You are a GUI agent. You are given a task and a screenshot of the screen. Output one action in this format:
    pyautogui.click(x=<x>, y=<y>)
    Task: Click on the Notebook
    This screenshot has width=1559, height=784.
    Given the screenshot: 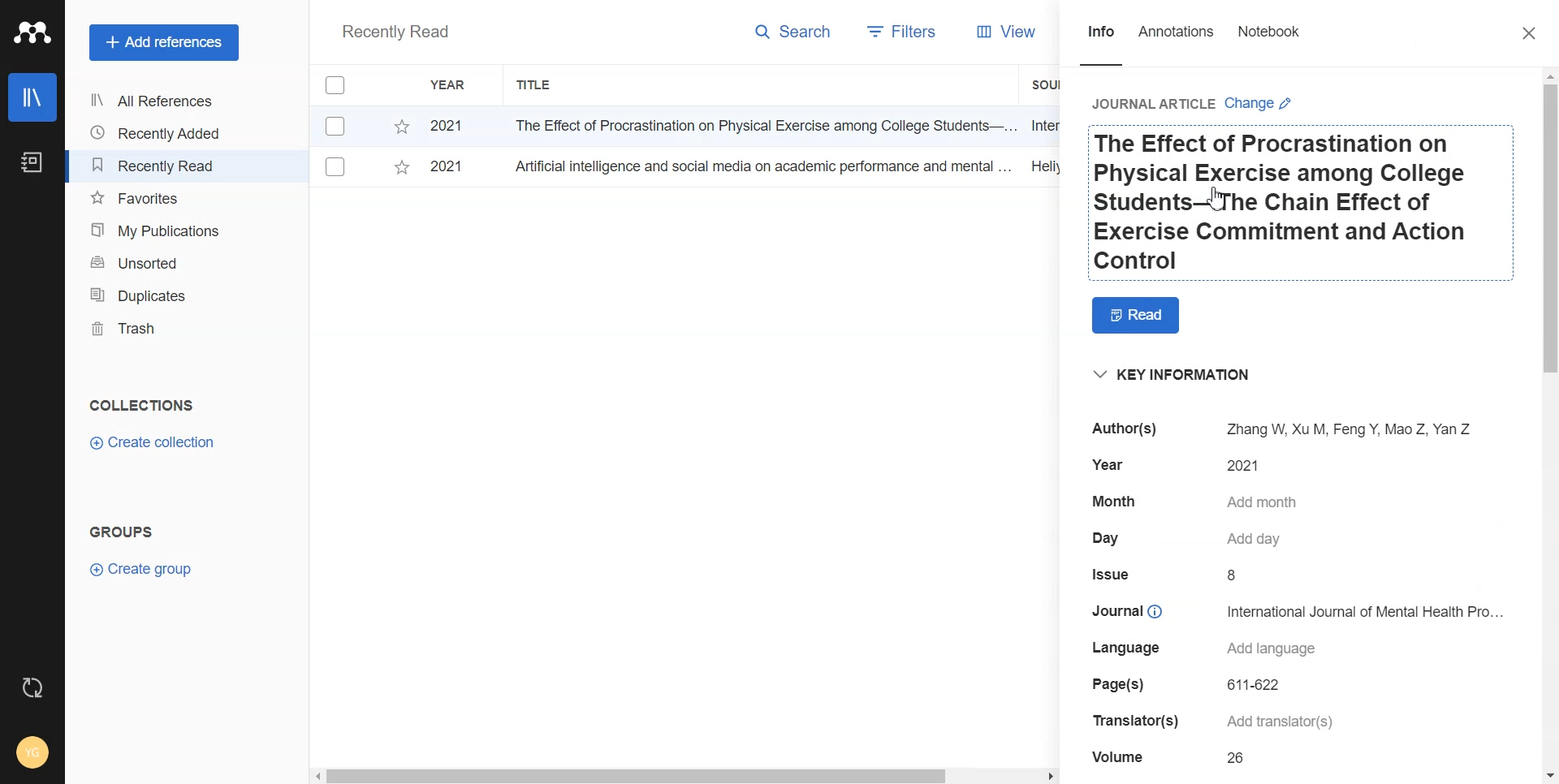 What is the action you would take?
    pyautogui.click(x=30, y=163)
    